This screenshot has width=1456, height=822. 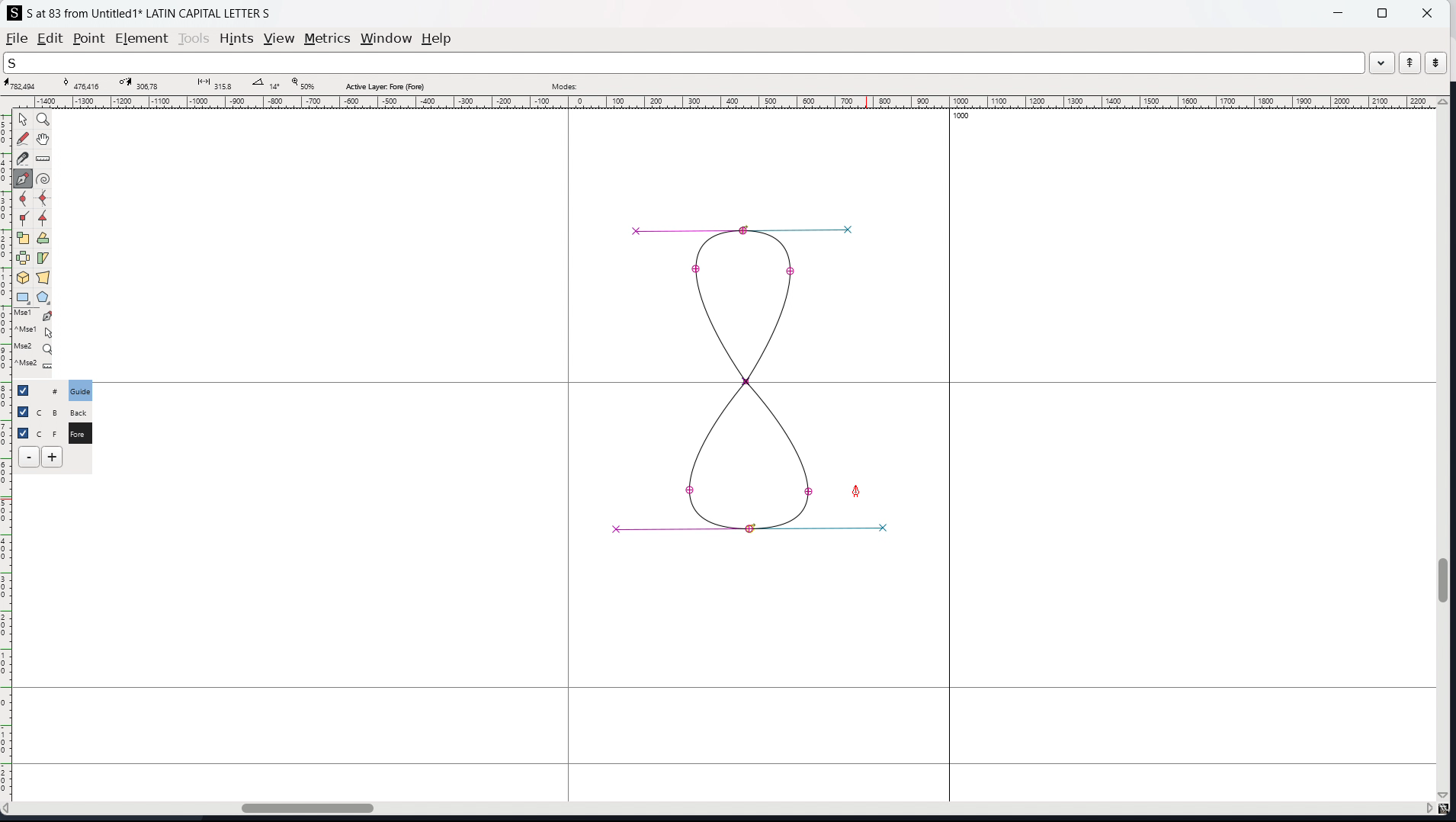 What do you see at coordinates (213, 83) in the screenshot?
I see `distance between points` at bounding box center [213, 83].